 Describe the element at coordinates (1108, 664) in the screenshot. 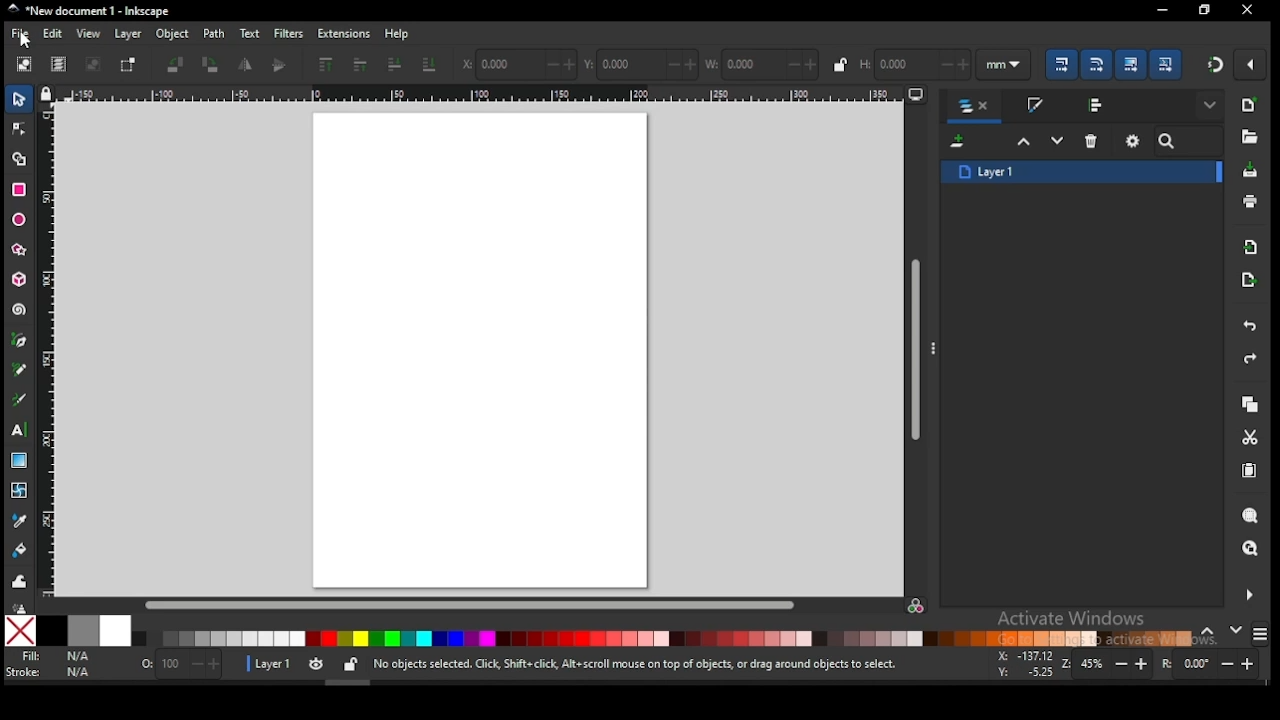

I see `zoom in/zoom out` at that location.